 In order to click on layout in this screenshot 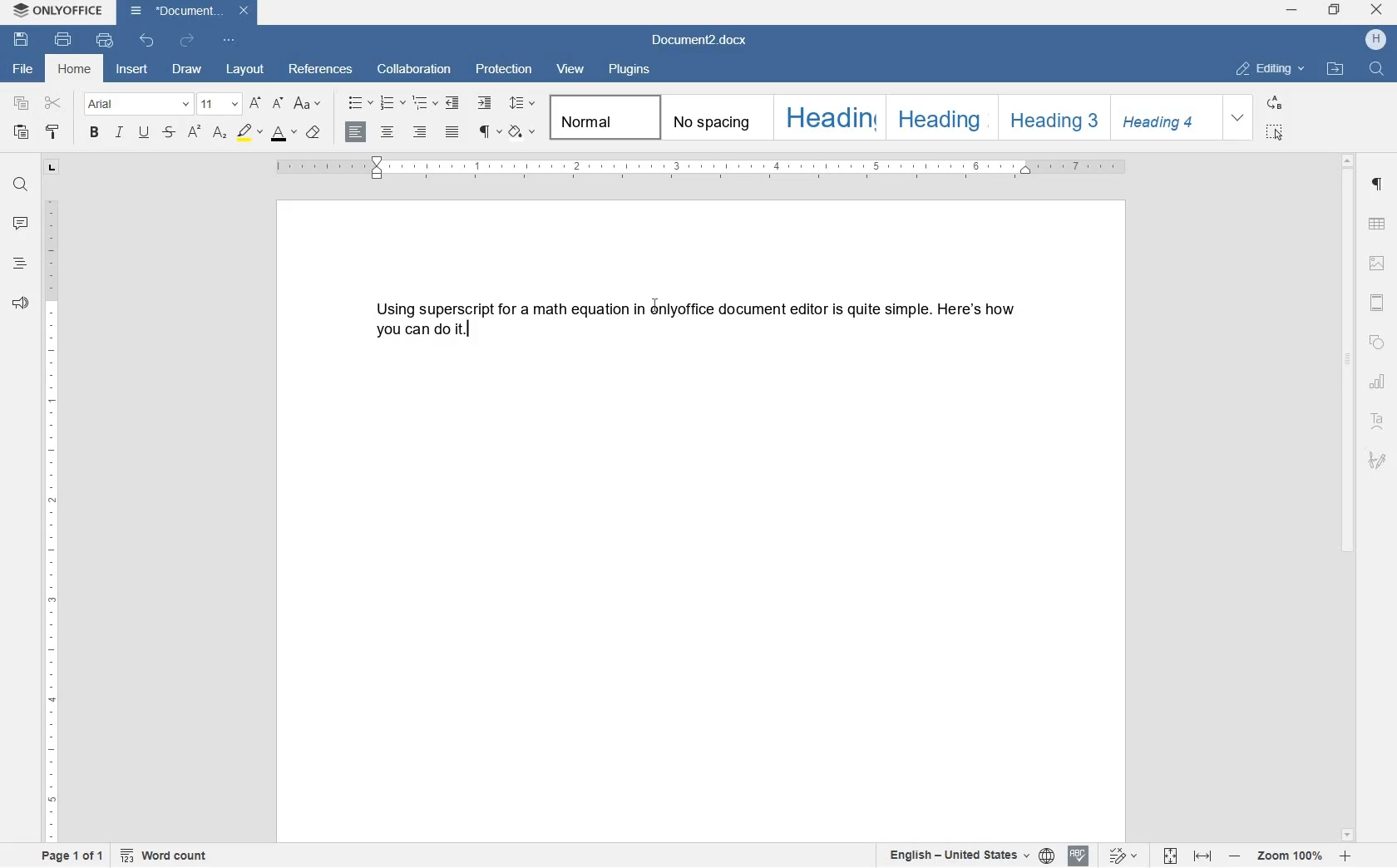, I will do `click(247, 70)`.